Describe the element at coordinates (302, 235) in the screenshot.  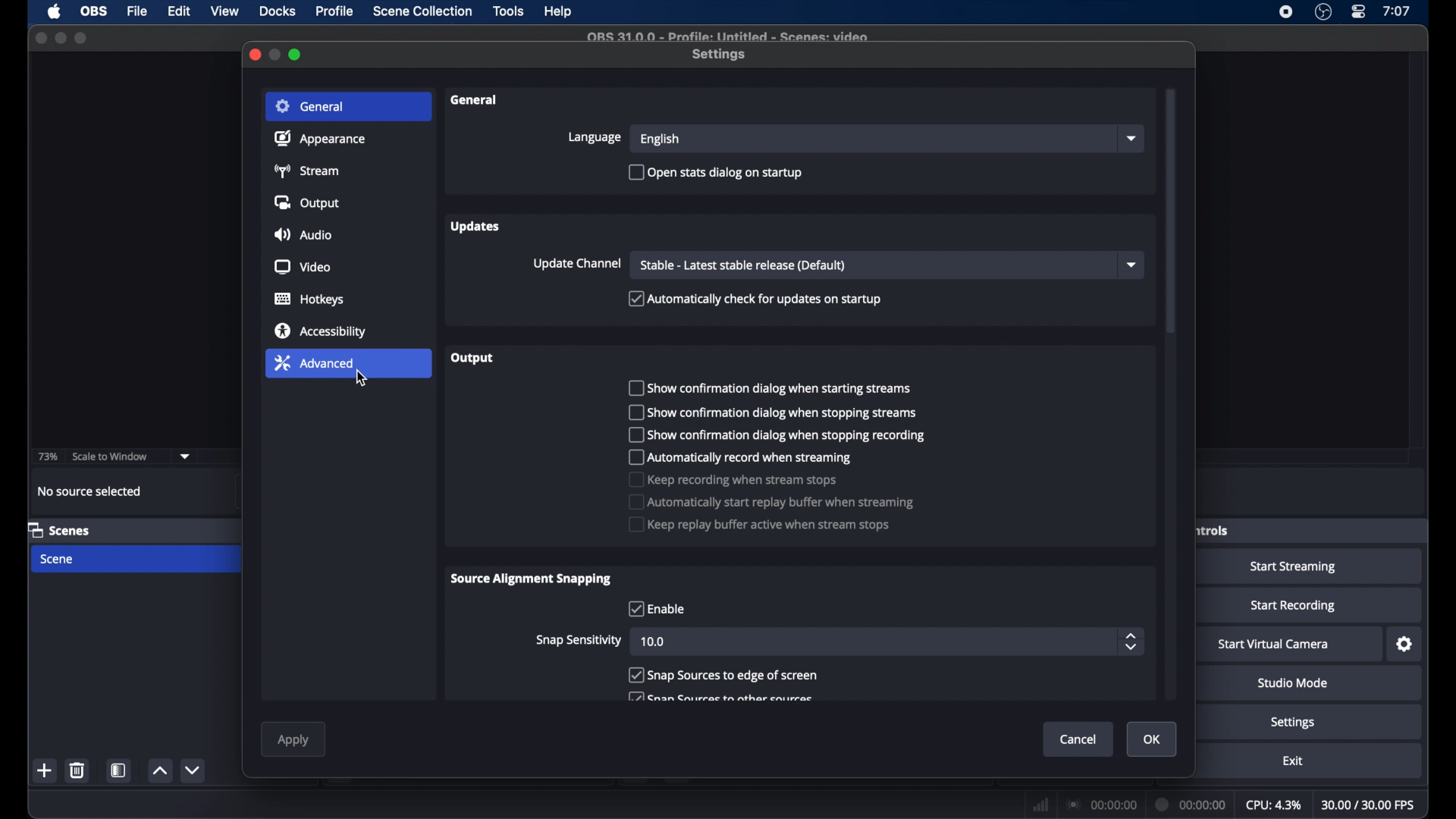
I see `audio` at that location.